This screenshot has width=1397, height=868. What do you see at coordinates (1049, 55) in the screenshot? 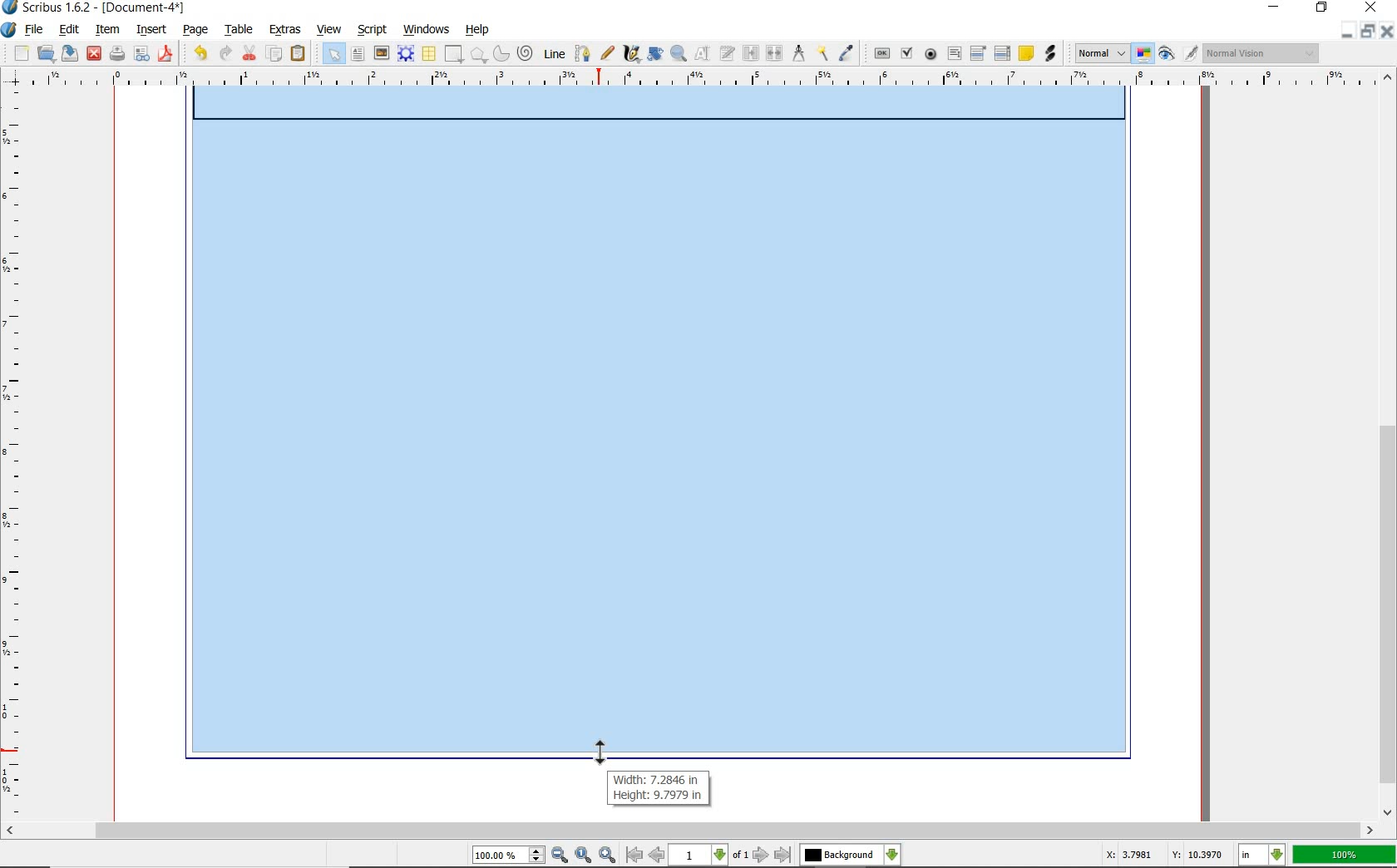
I see `link annotation` at bounding box center [1049, 55].